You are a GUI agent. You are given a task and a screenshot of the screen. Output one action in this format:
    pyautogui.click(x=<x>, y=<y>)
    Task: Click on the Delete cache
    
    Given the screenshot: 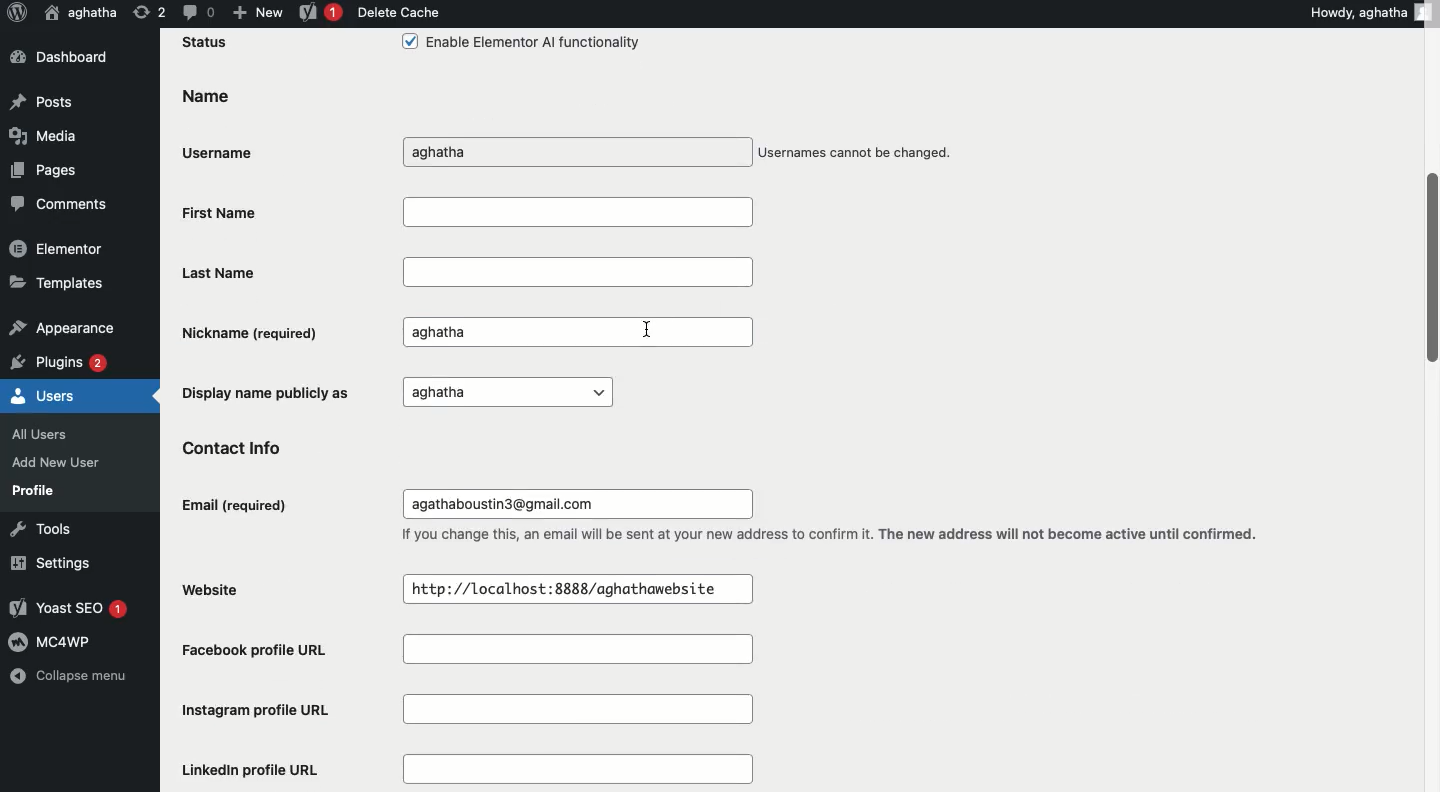 What is the action you would take?
    pyautogui.click(x=398, y=12)
    